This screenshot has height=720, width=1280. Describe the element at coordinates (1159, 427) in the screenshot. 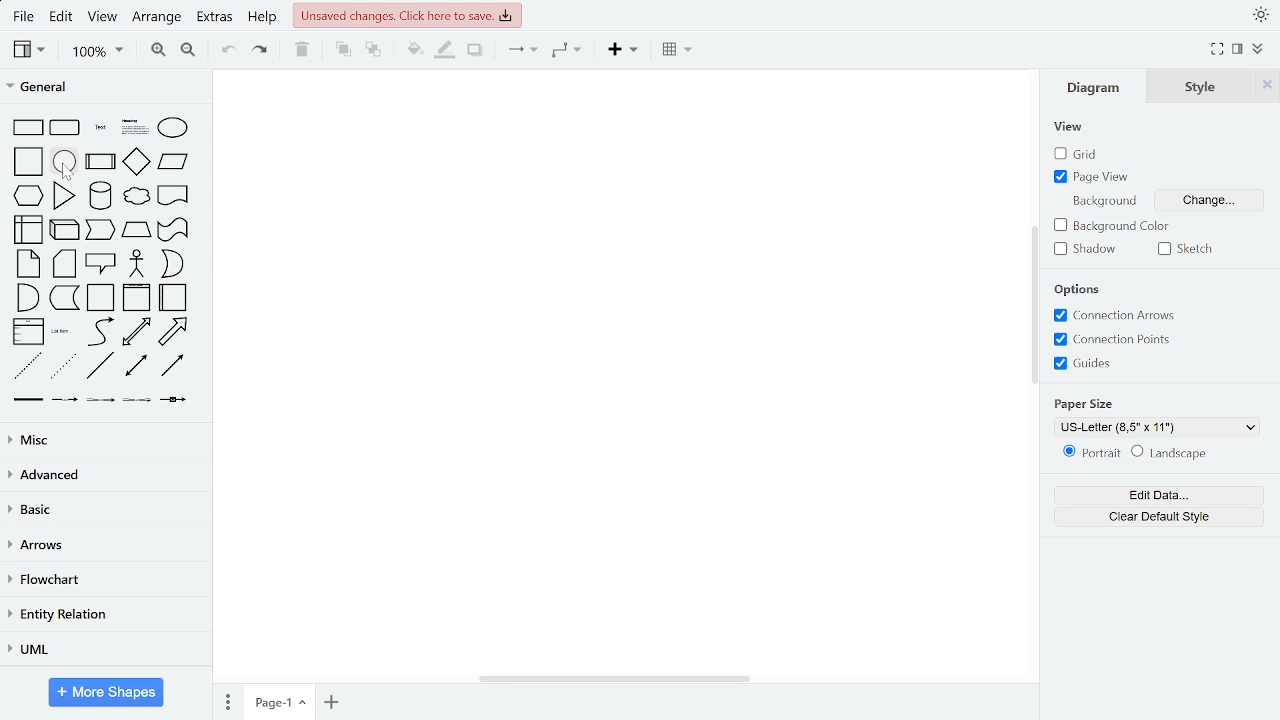

I see `current page view` at that location.